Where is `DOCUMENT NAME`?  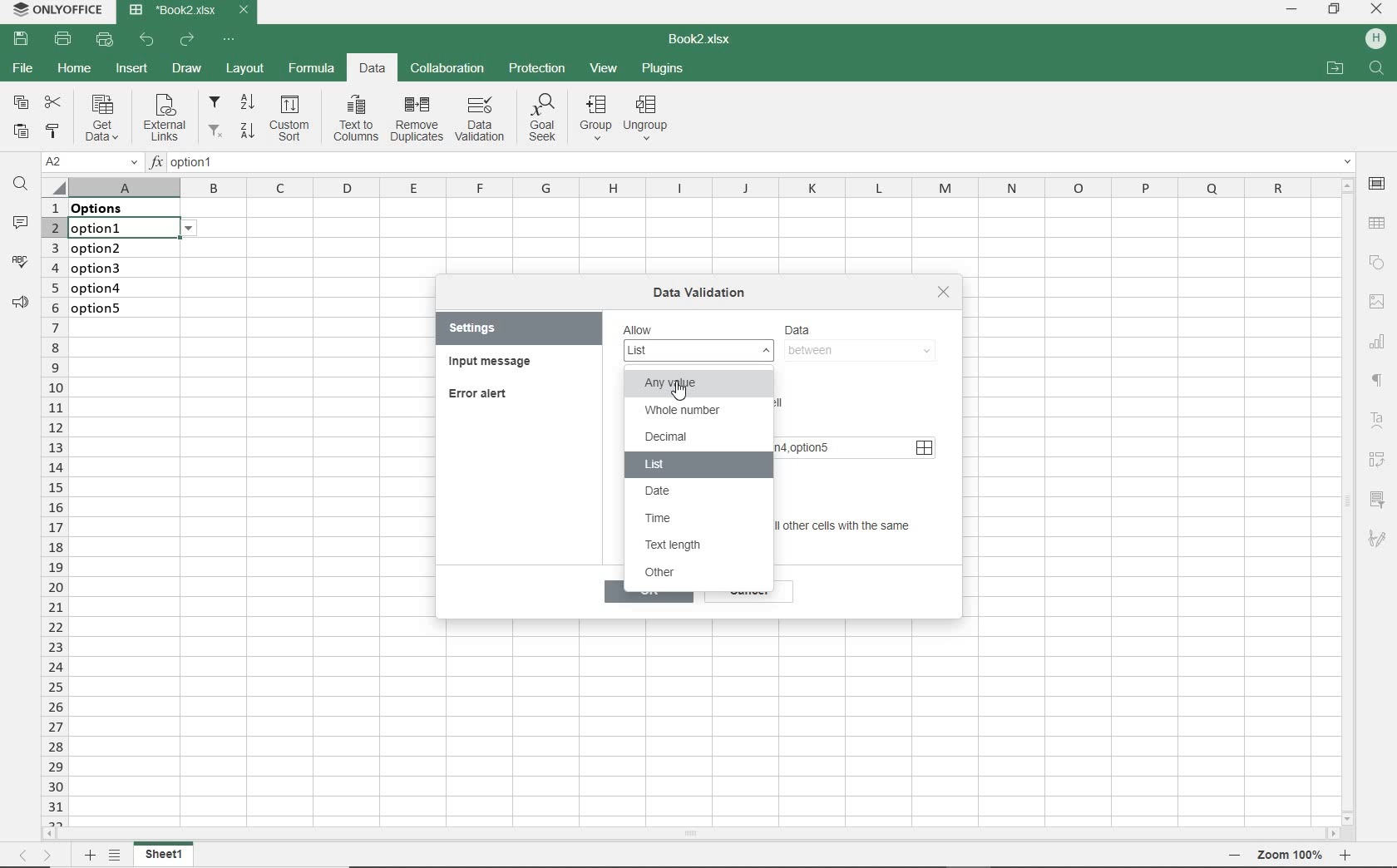
DOCUMENT NAME is located at coordinates (708, 40).